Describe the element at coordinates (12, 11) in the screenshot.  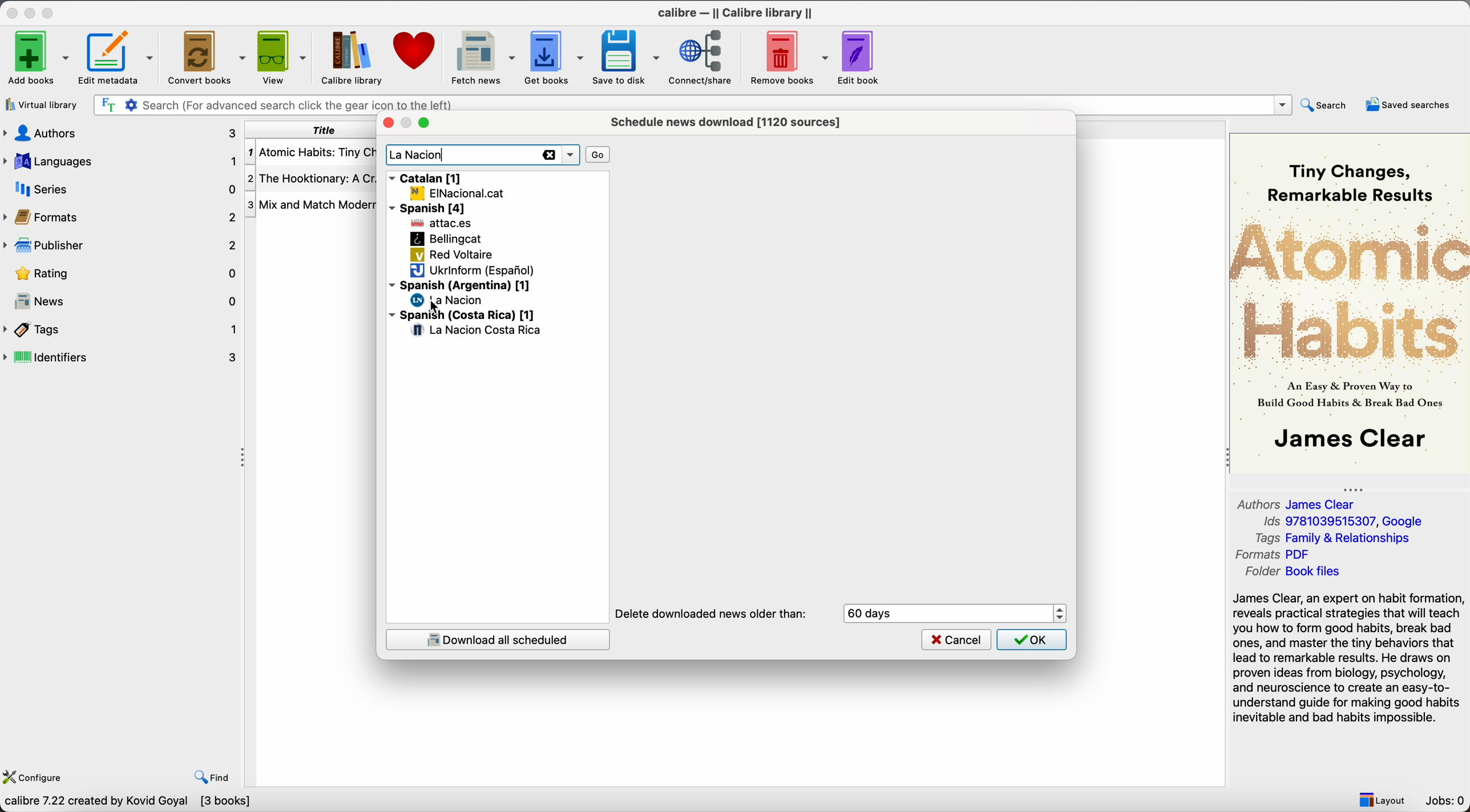
I see `close program` at that location.